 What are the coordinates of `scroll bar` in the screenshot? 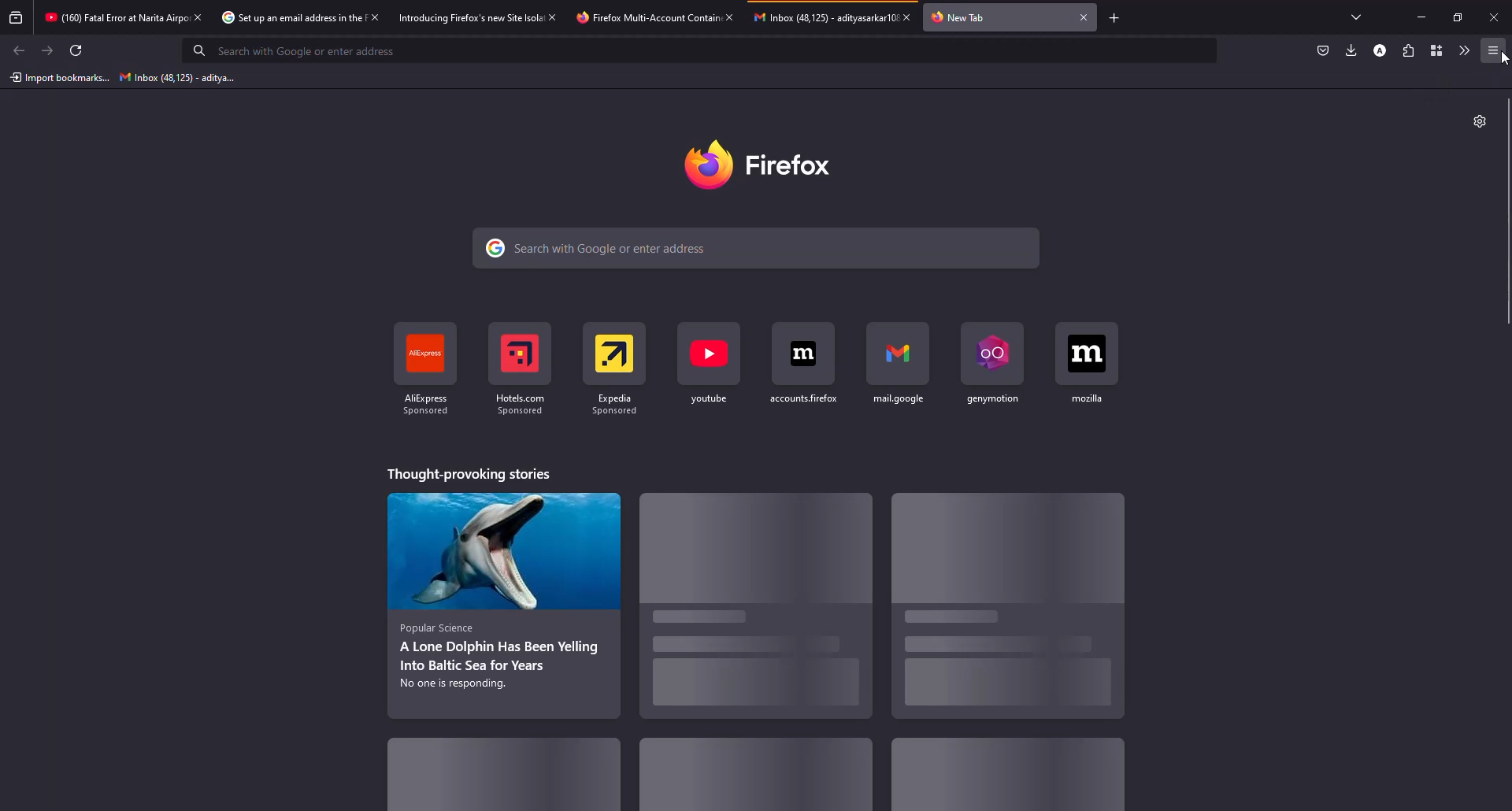 It's located at (1510, 213).